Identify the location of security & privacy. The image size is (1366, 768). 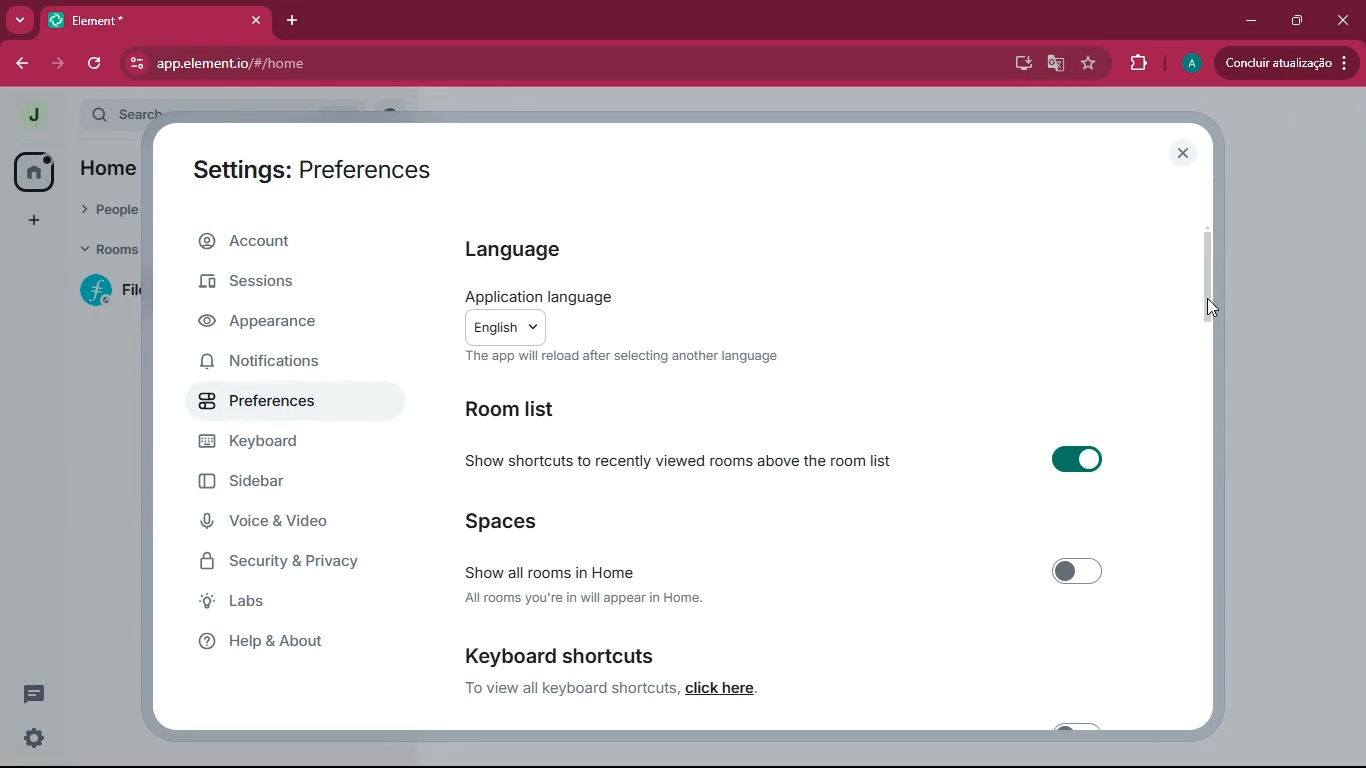
(287, 562).